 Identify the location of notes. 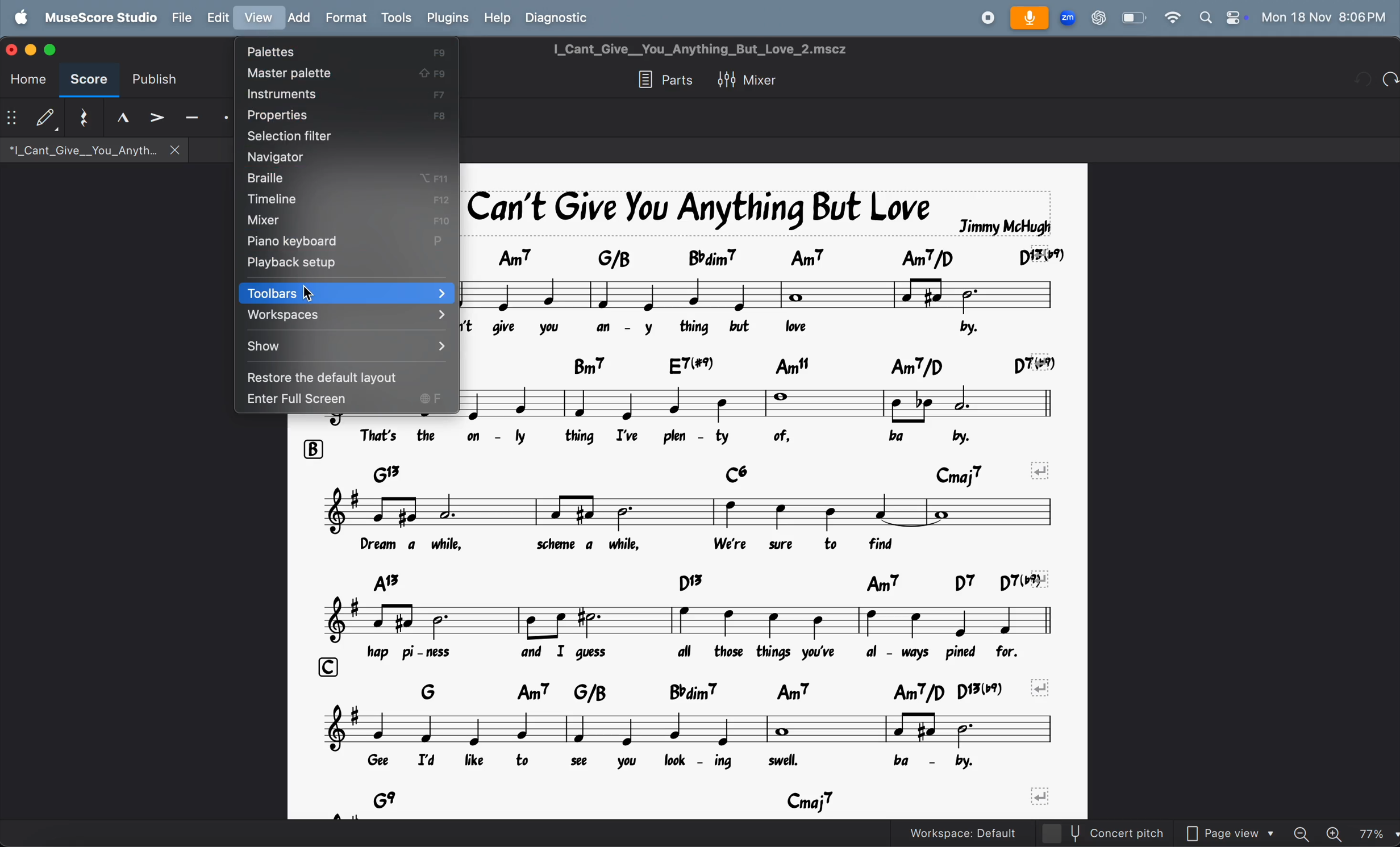
(693, 621).